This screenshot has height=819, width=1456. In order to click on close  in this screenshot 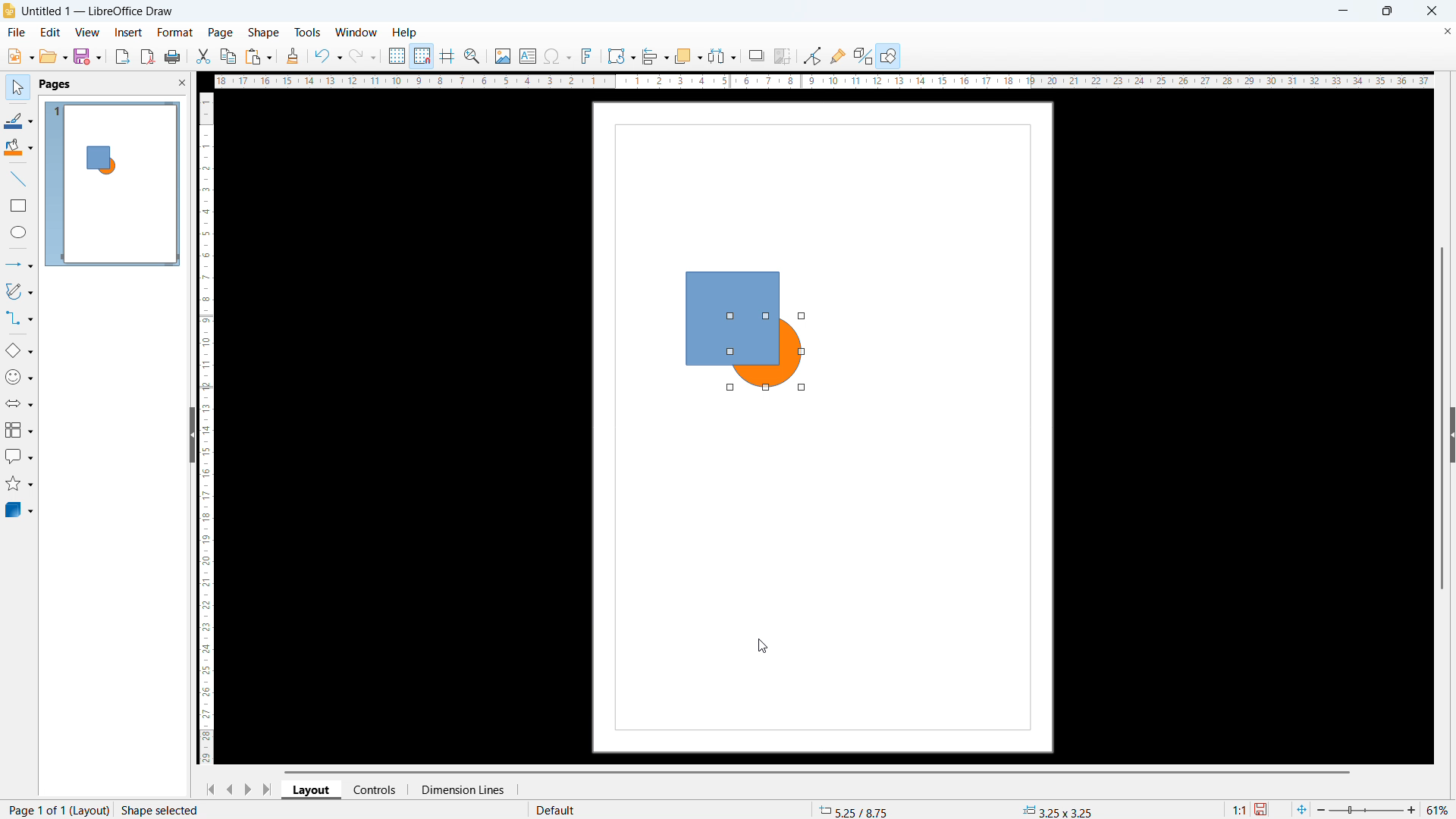, I will do `click(1431, 11)`.